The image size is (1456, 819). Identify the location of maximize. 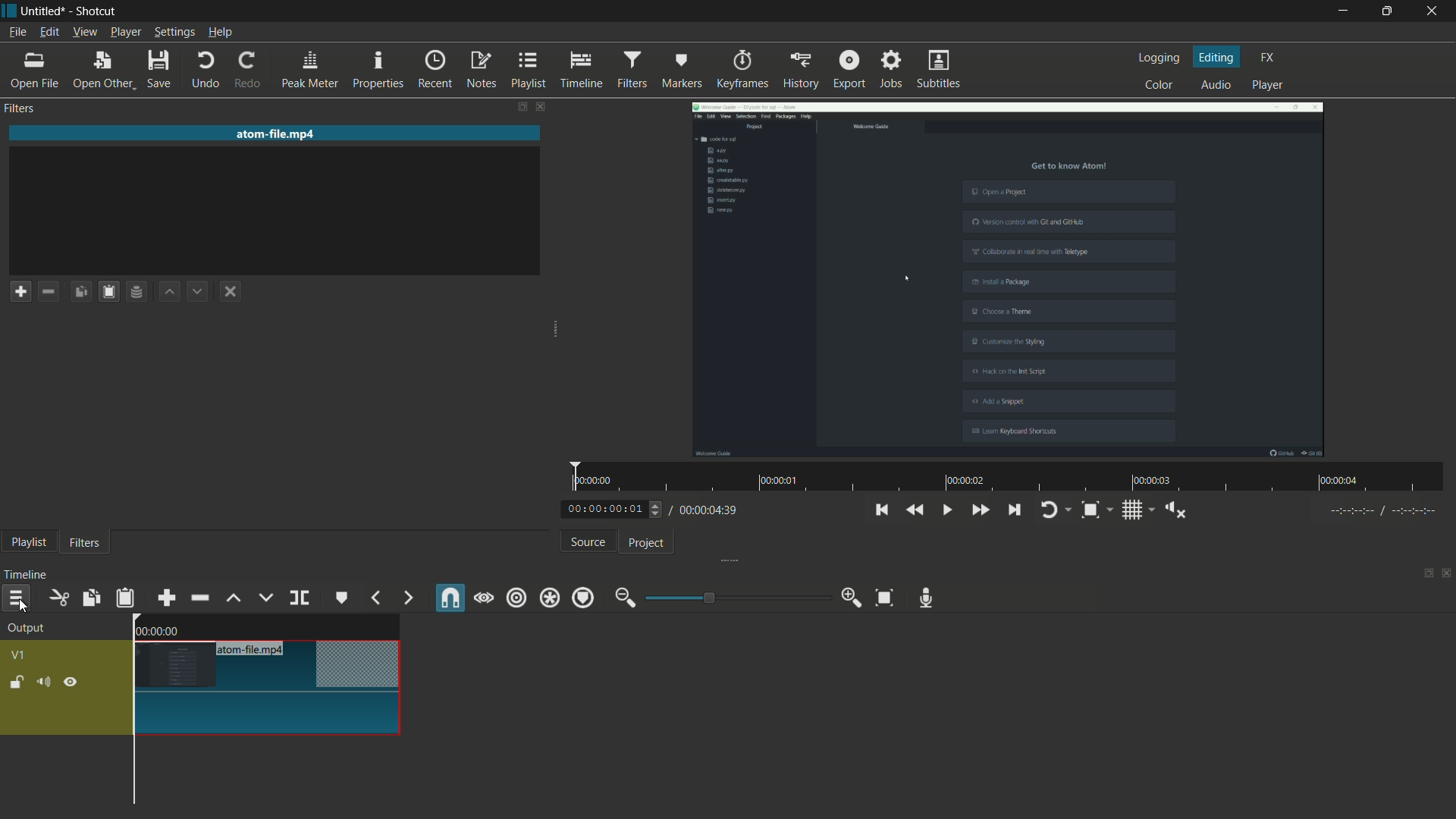
(1384, 11).